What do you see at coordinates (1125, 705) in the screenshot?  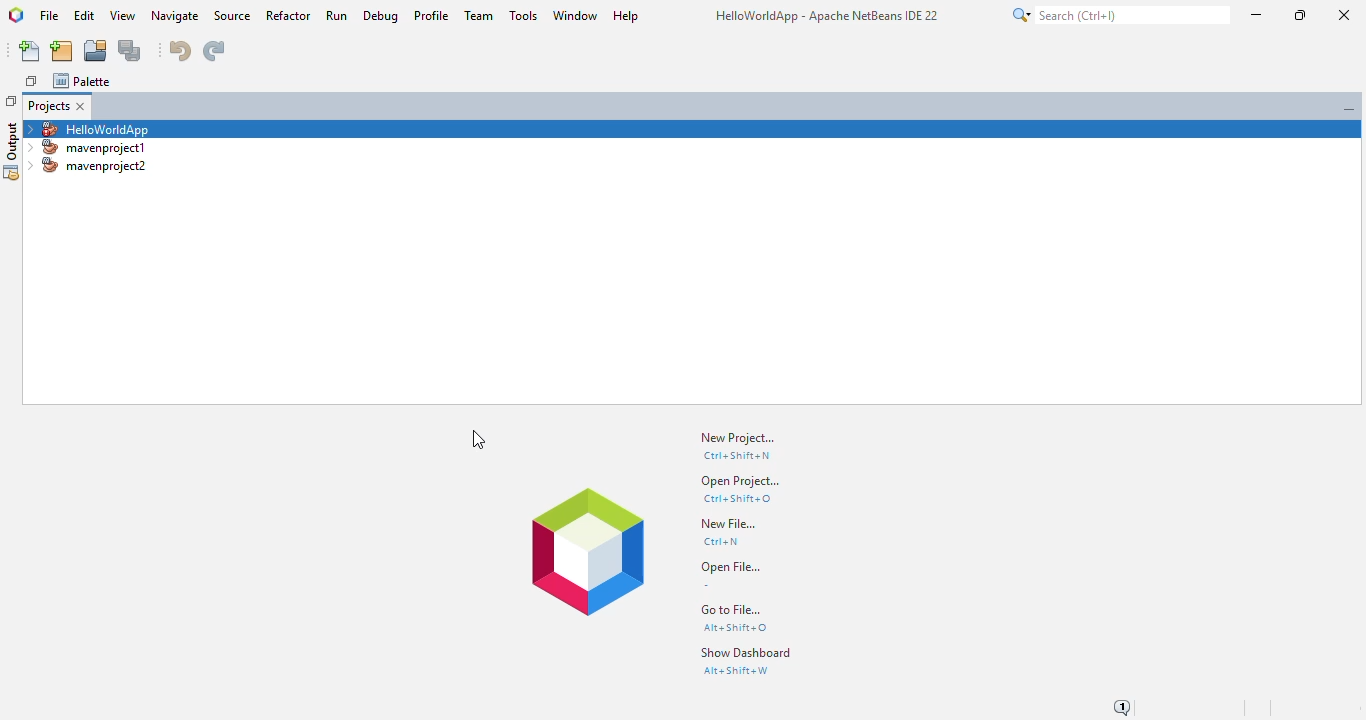 I see `notifications` at bounding box center [1125, 705].